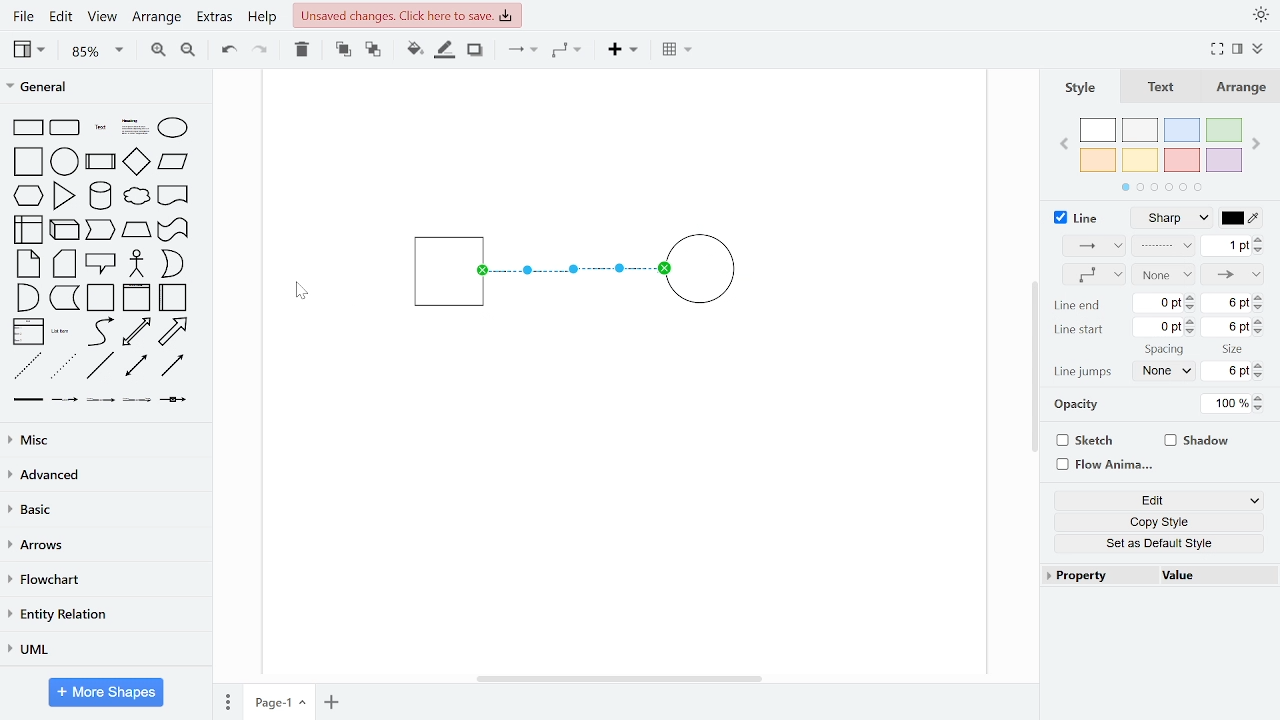  I want to click on unsaved changes. Click here to save, so click(408, 14).